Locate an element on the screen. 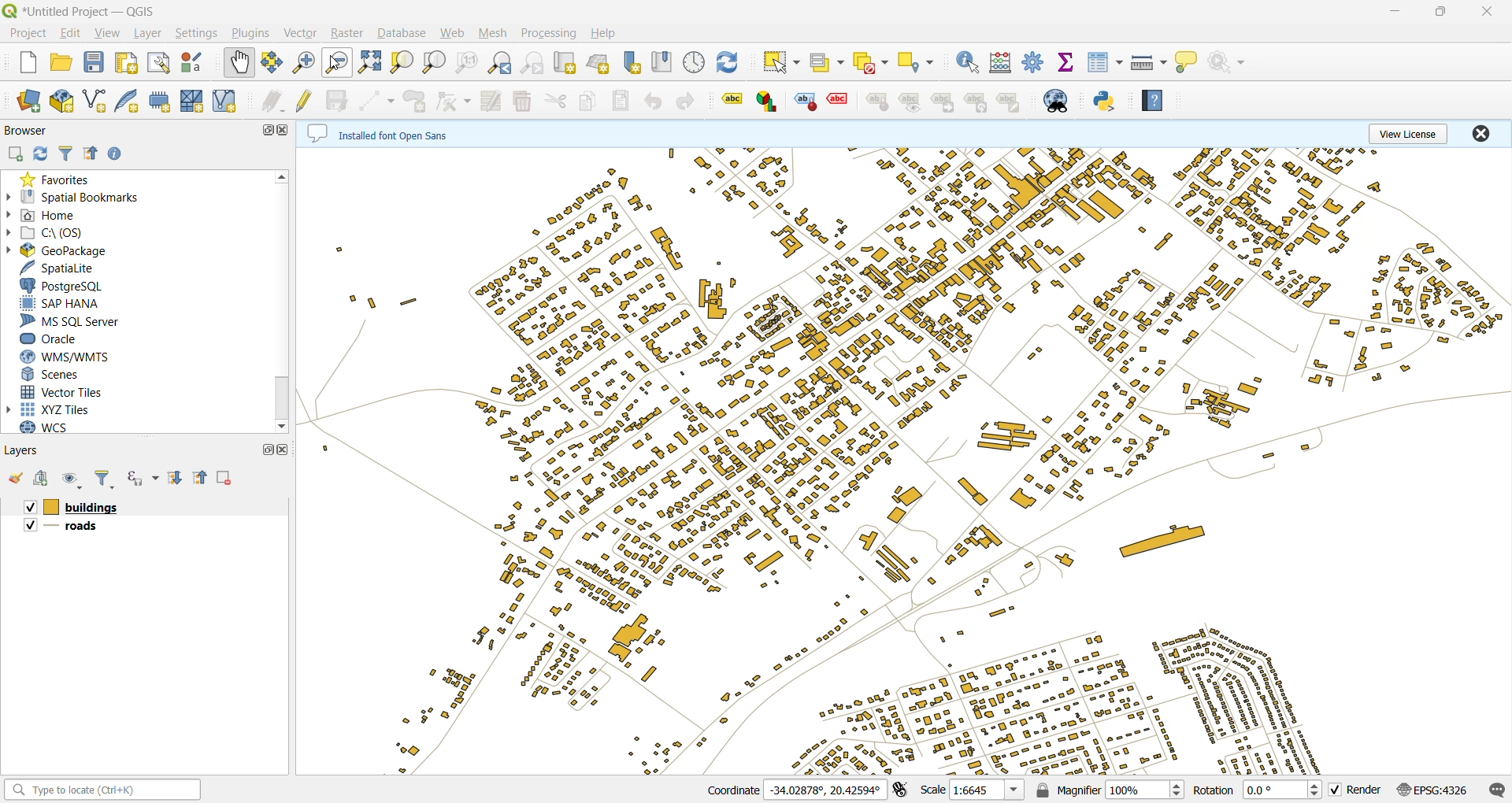 The width and height of the screenshot is (1512, 803). select location is located at coordinates (921, 62).